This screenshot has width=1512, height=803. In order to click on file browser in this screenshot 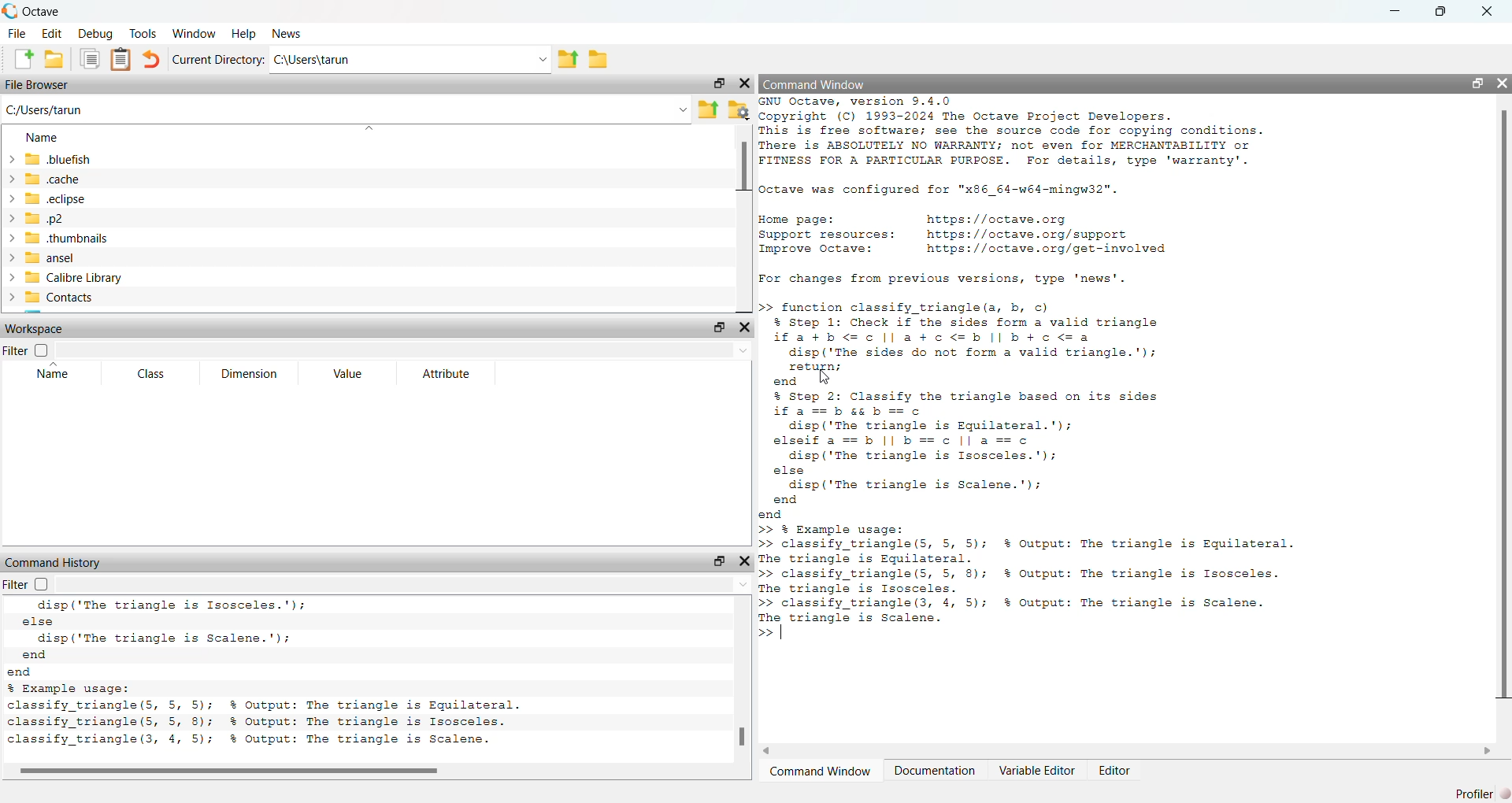, I will do `click(39, 86)`.